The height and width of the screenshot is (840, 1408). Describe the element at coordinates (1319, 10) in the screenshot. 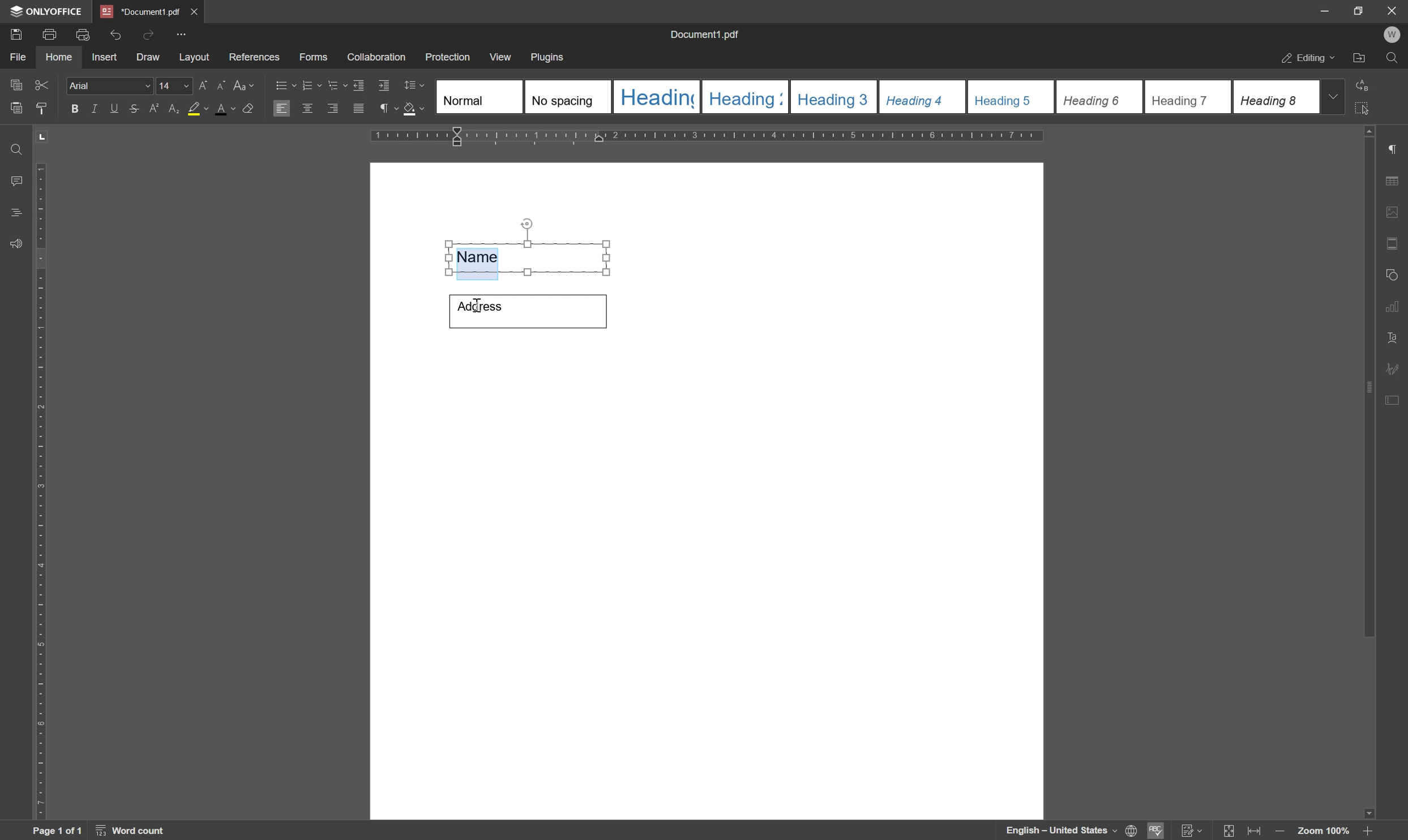

I see `minimize` at that location.